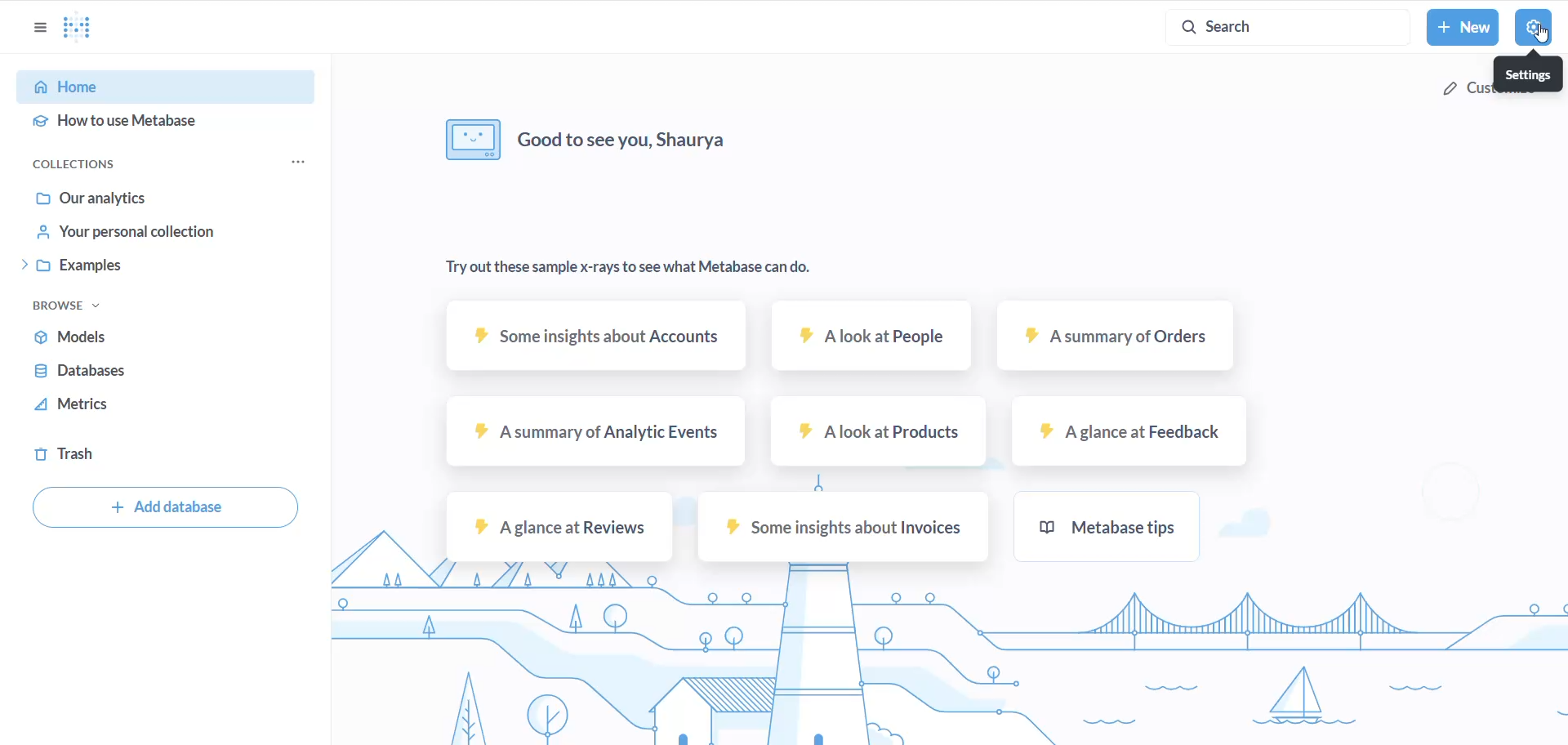  What do you see at coordinates (168, 404) in the screenshot?
I see `METRICS` at bounding box center [168, 404].